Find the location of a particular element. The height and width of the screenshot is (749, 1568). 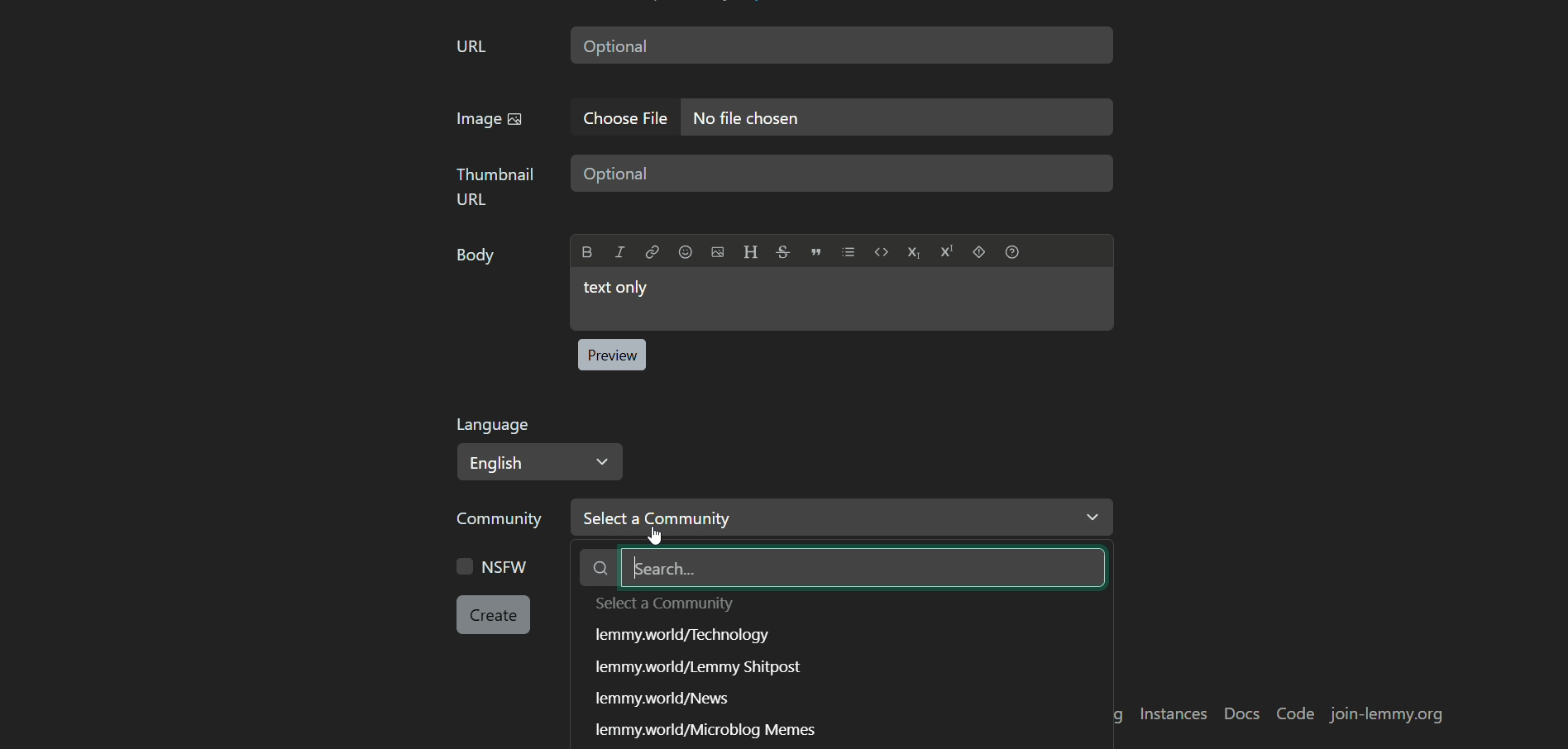

NSFW is located at coordinates (492, 565).